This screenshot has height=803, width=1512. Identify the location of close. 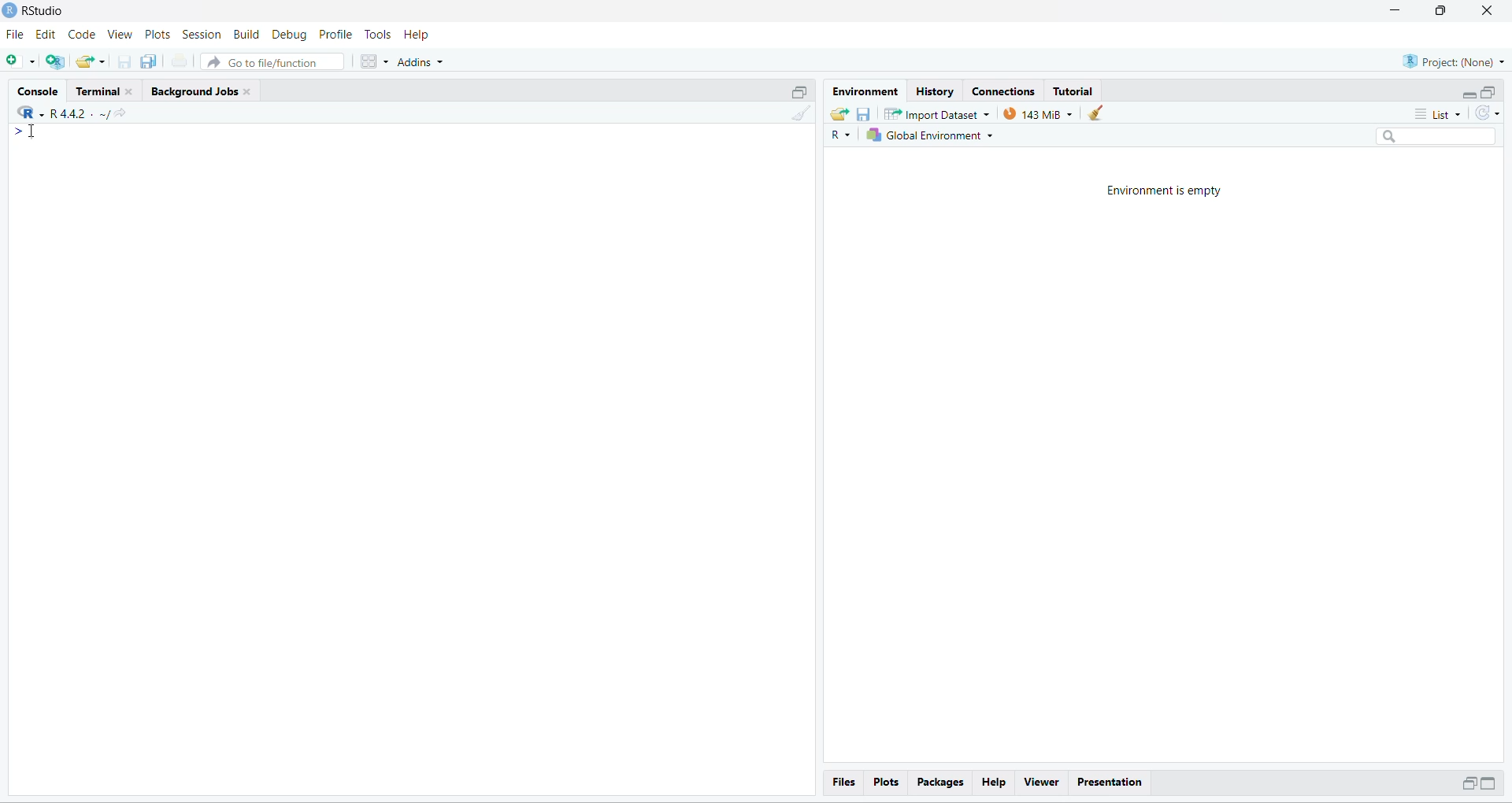
(1488, 10).